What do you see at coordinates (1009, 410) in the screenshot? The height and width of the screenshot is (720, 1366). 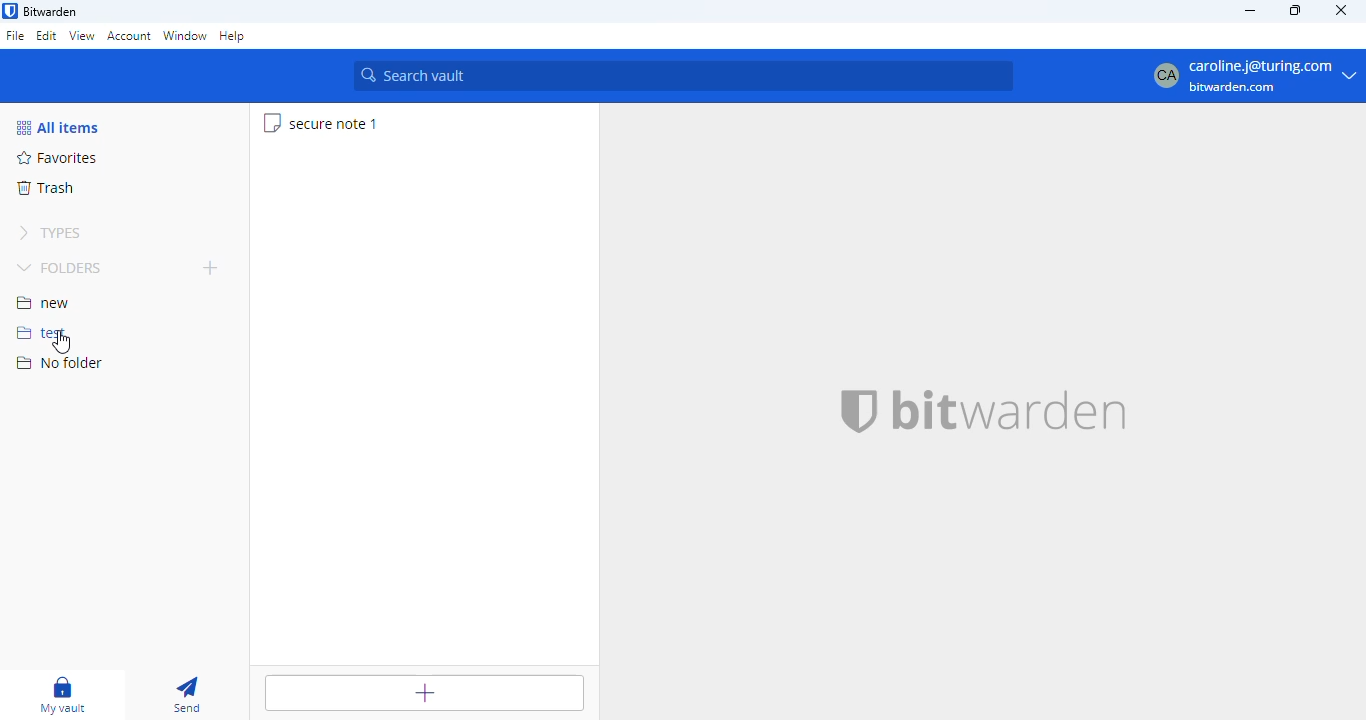 I see `bitwarden` at bounding box center [1009, 410].